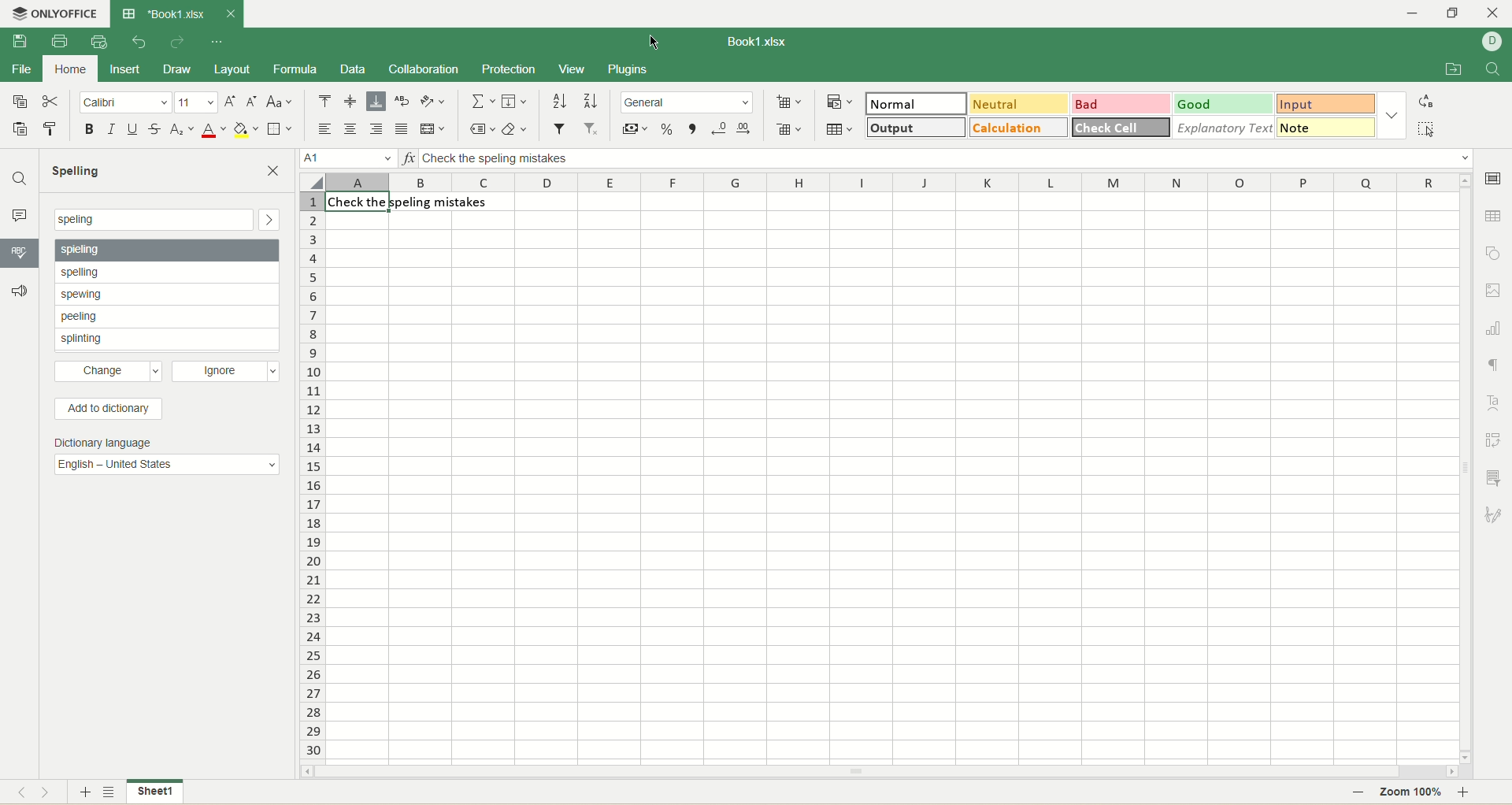 The image size is (1512, 805). What do you see at coordinates (1425, 103) in the screenshot?
I see `replace` at bounding box center [1425, 103].